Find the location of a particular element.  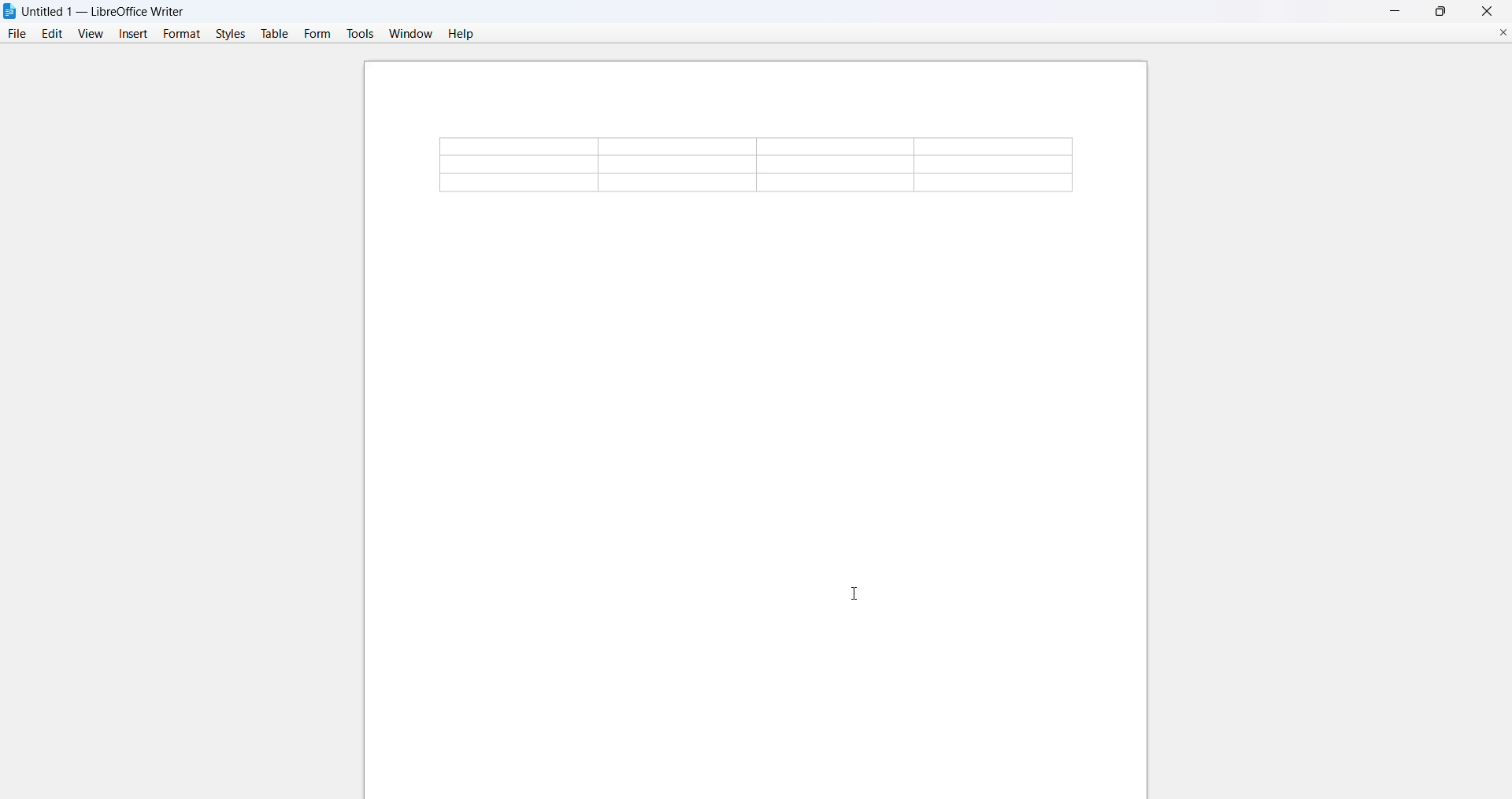

tools is located at coordinates (361, 33).